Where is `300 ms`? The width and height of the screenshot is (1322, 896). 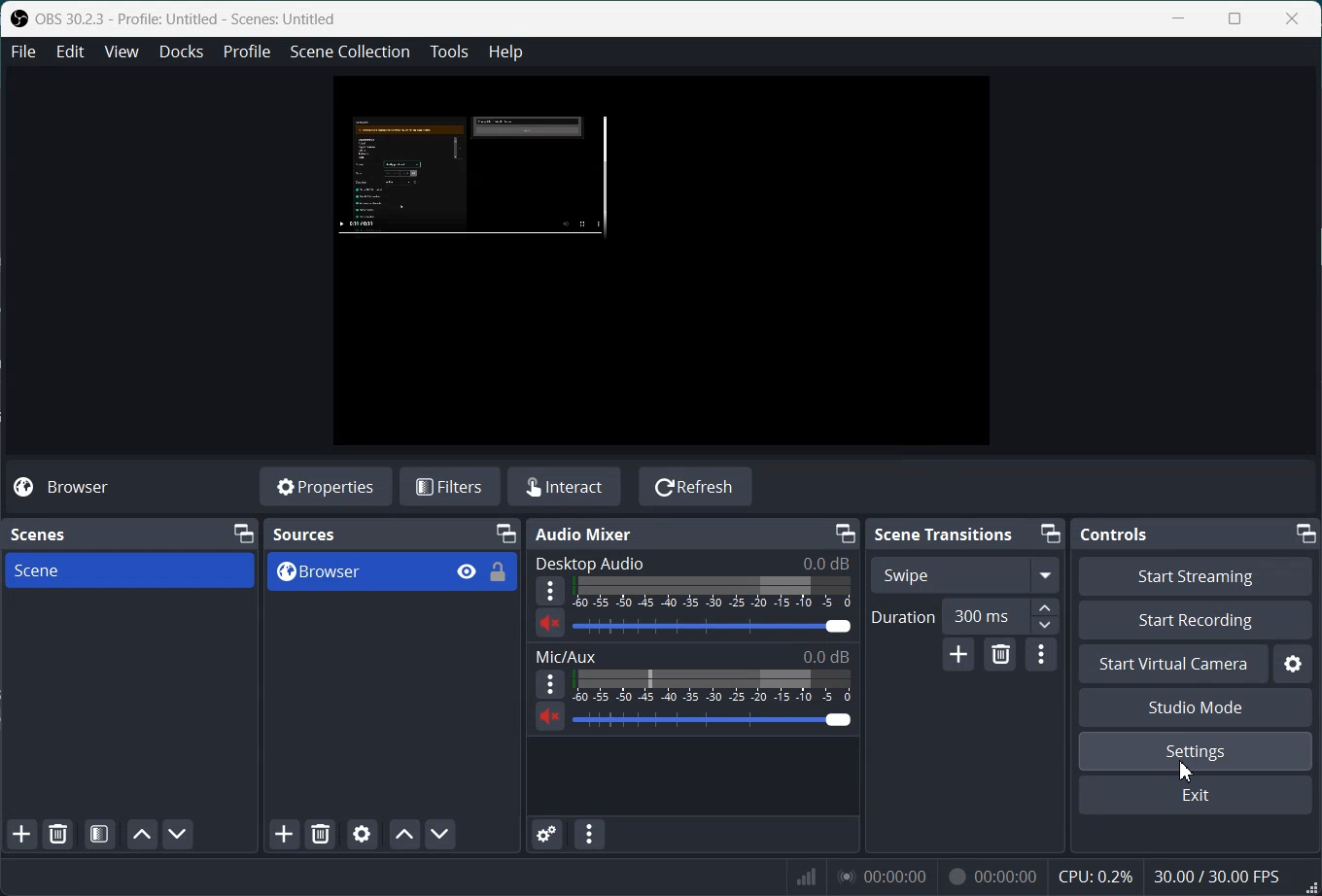 300 ms is located at coordinates (1003, 618).